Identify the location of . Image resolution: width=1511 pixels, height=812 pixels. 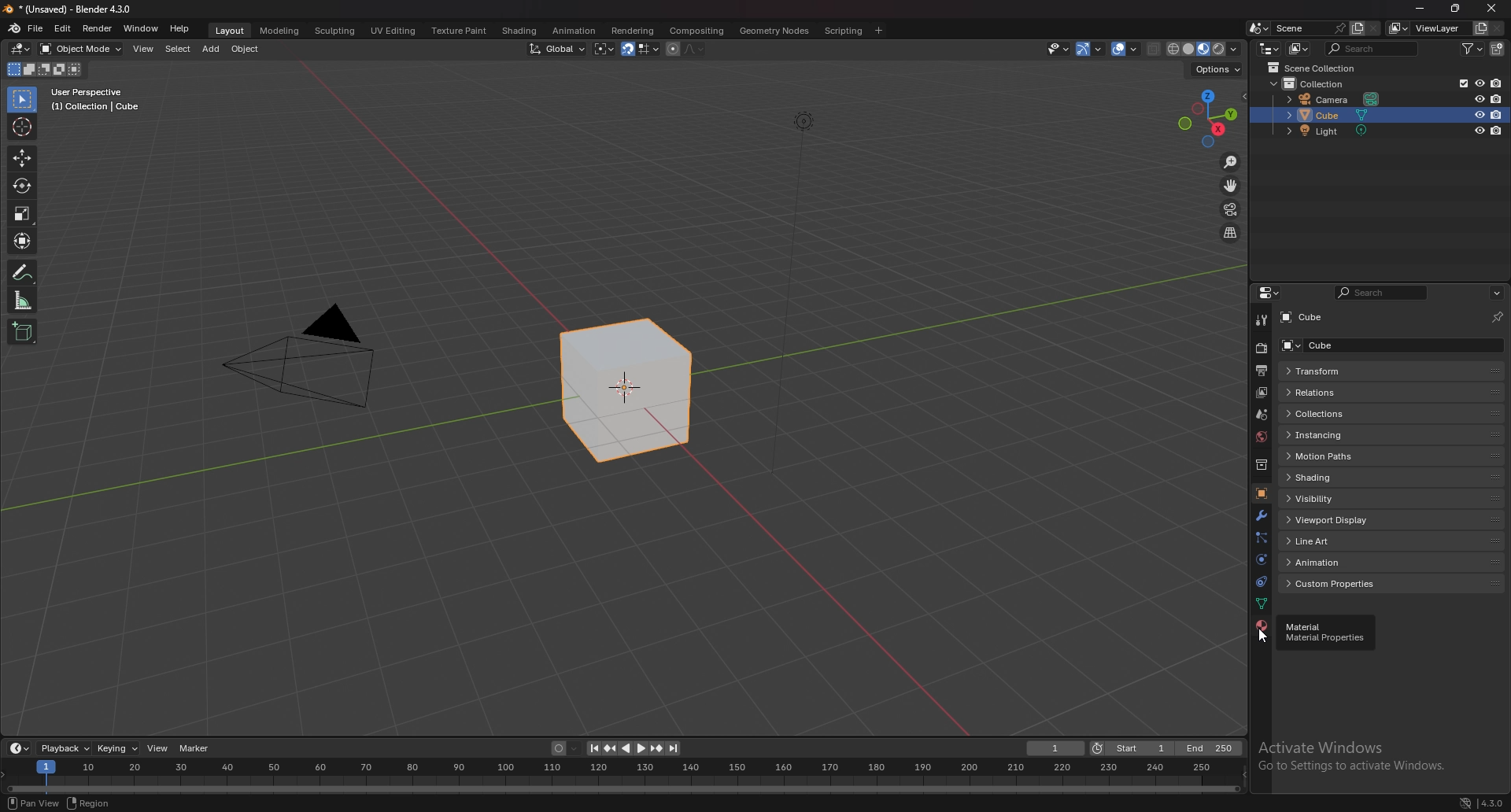
(1491, 801).